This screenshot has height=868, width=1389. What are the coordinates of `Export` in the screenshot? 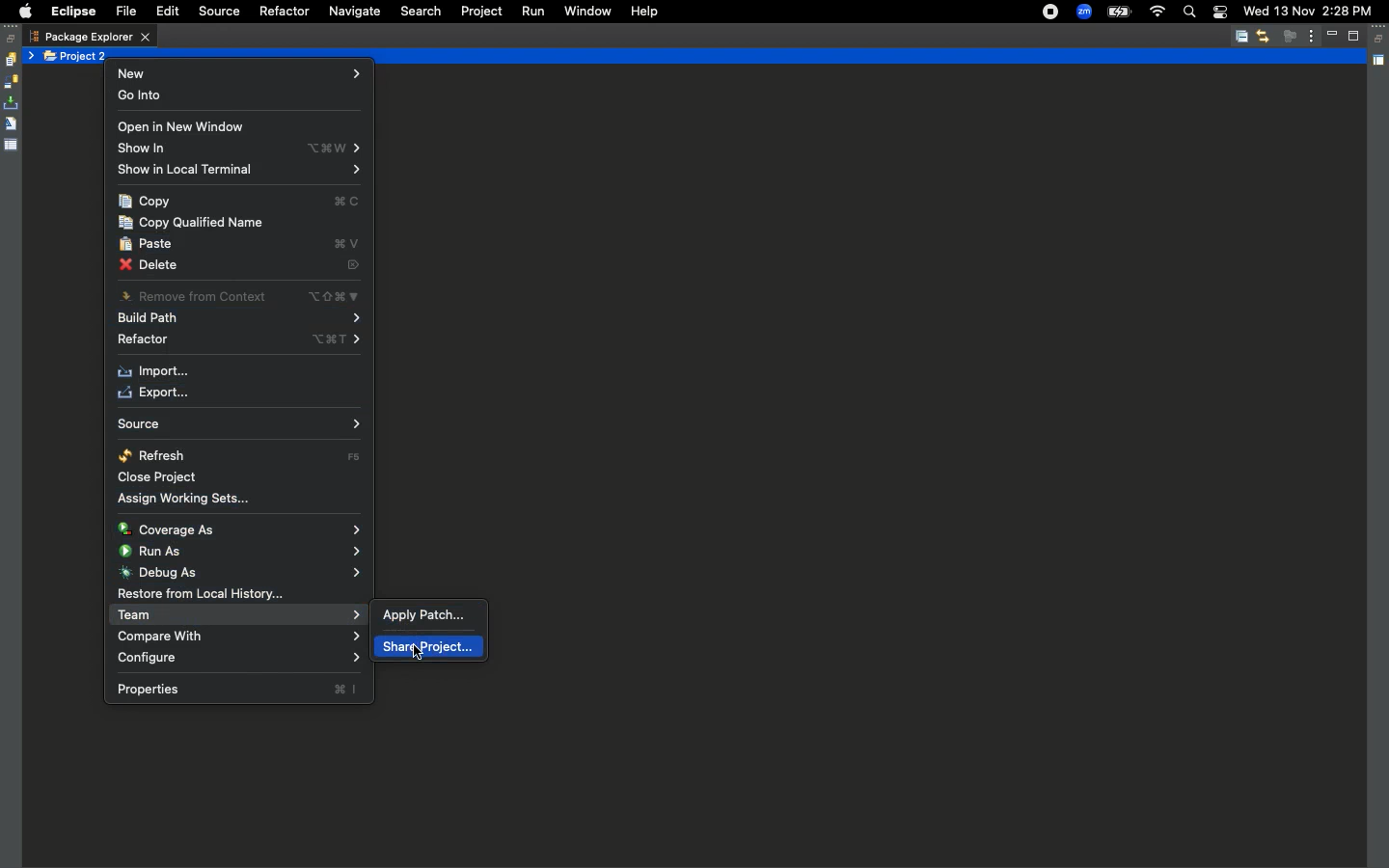 It's located at (151, 393).